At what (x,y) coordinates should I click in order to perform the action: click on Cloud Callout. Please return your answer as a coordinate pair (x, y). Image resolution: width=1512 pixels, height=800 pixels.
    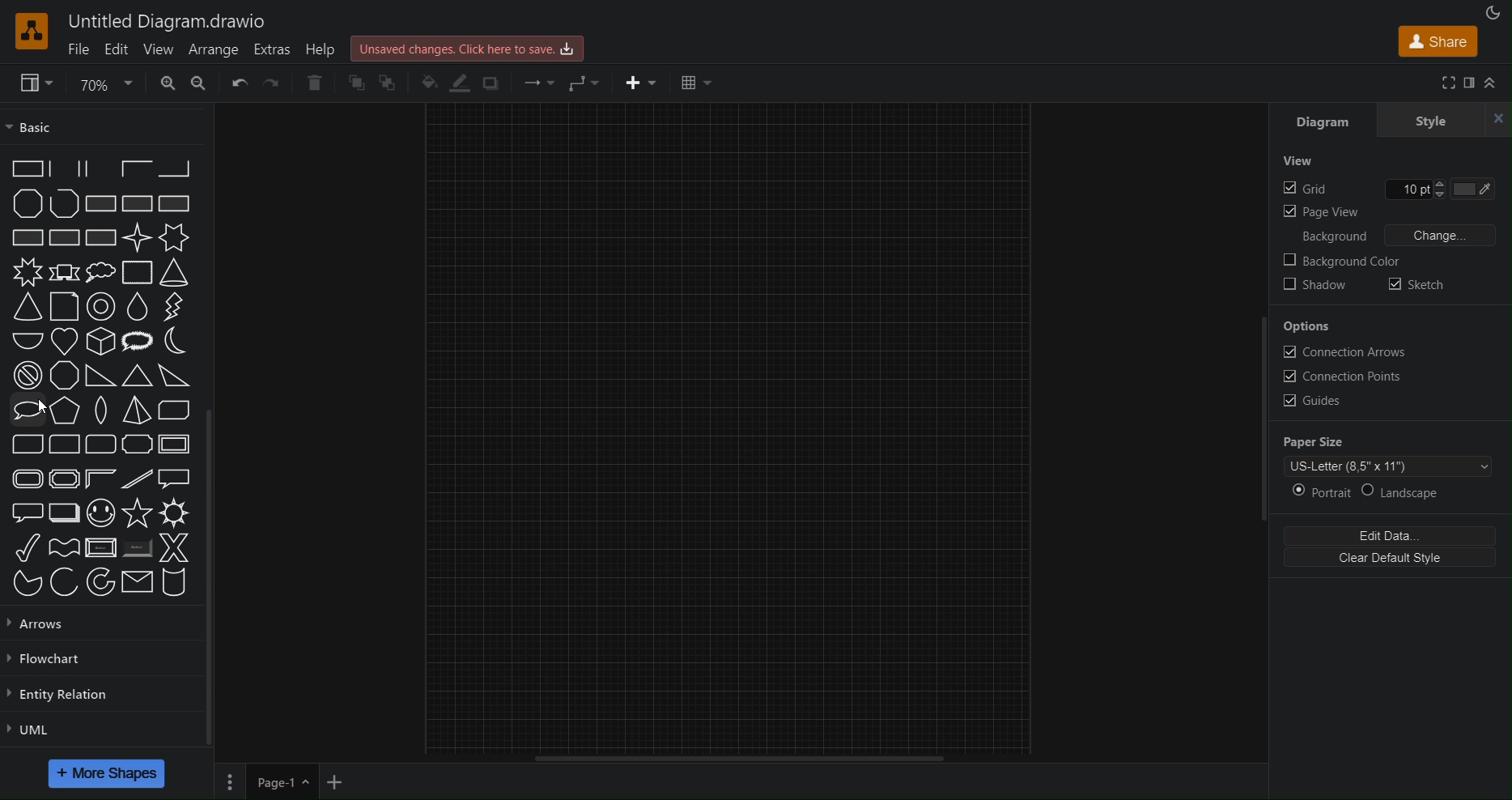
    Looking at the image, I should click on (100, 271).